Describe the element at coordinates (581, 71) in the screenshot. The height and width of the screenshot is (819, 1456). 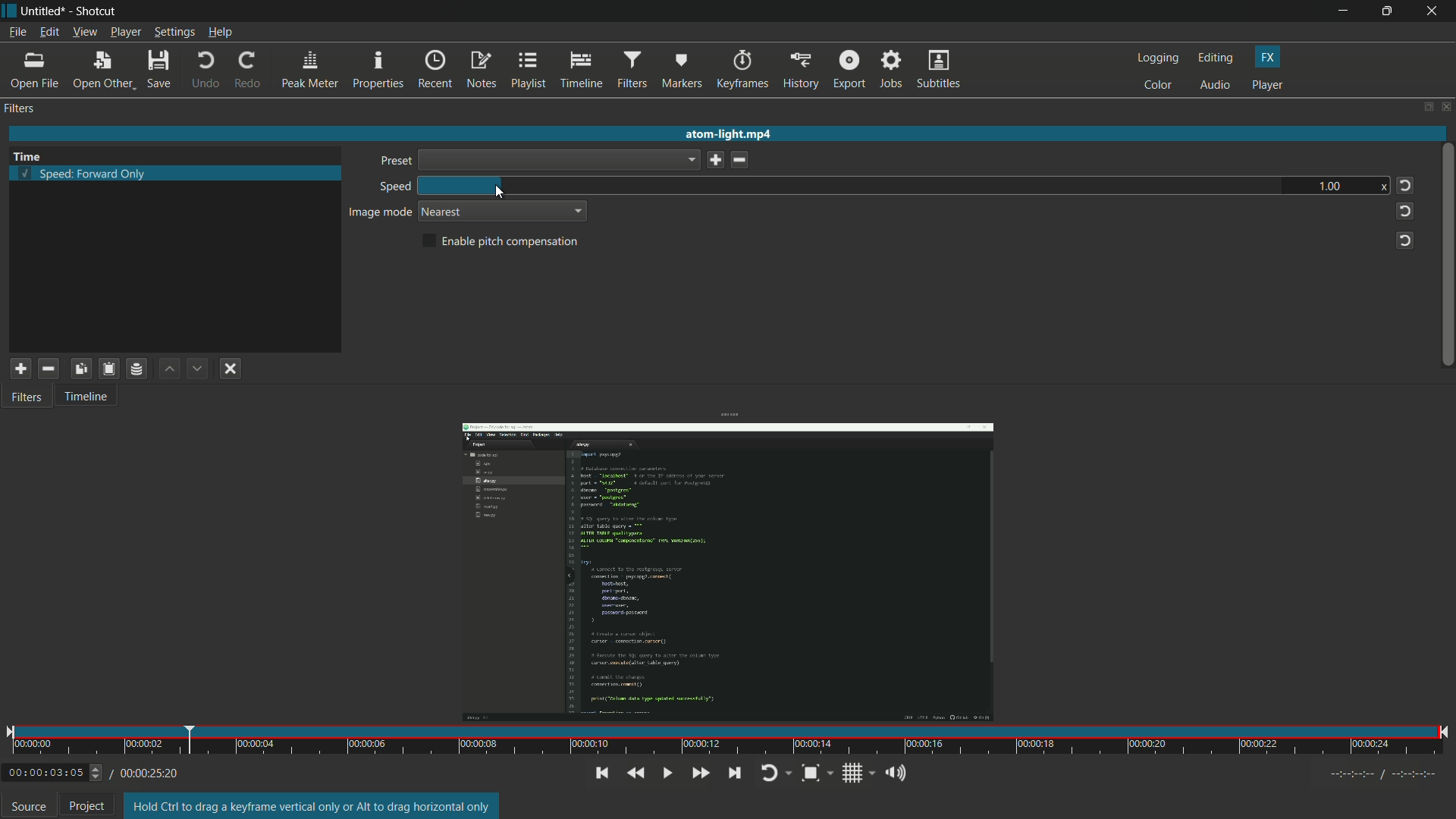
I see `timeline` at that location.